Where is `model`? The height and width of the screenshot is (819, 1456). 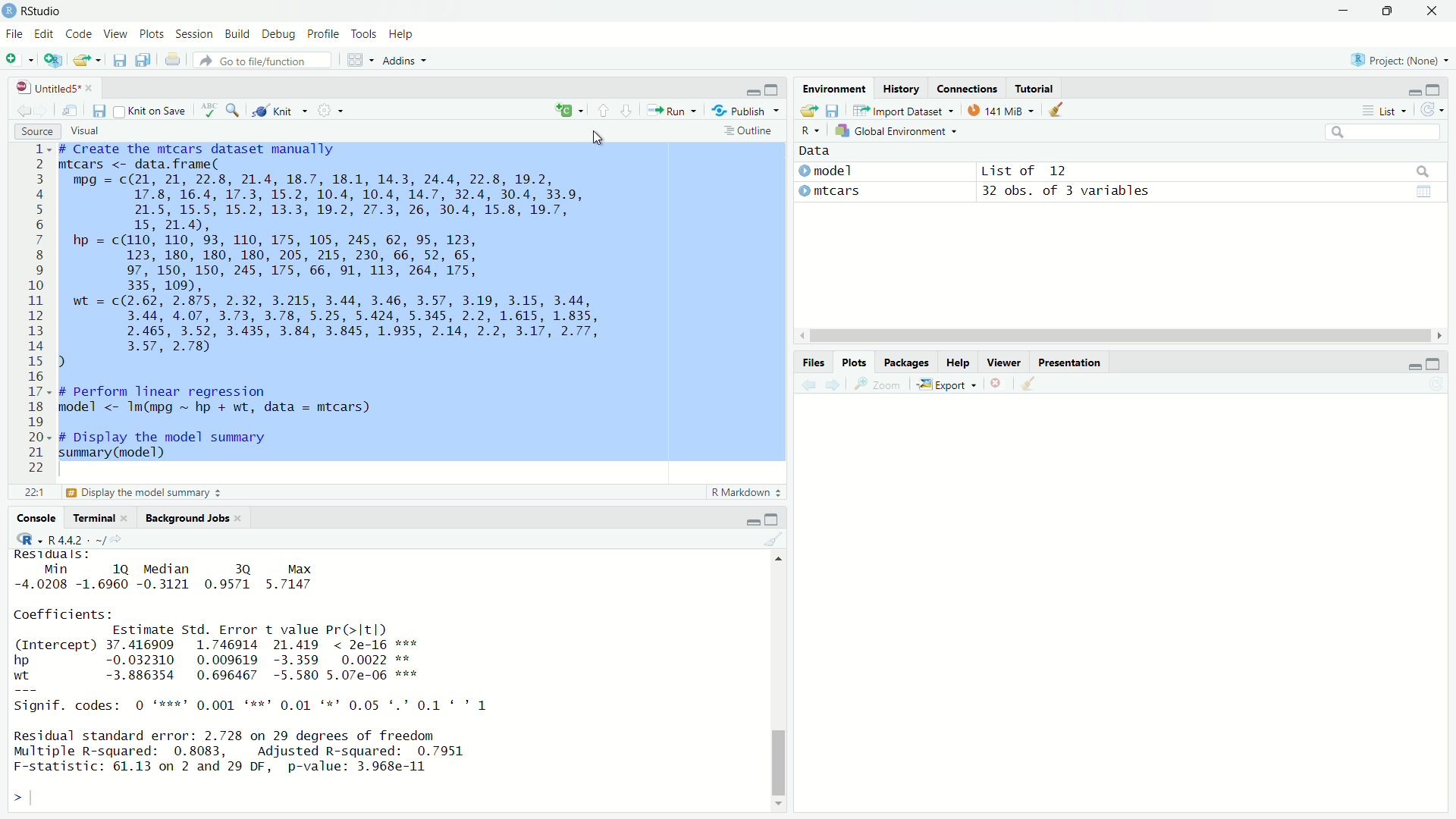 model is located at coordinates (827, 172).